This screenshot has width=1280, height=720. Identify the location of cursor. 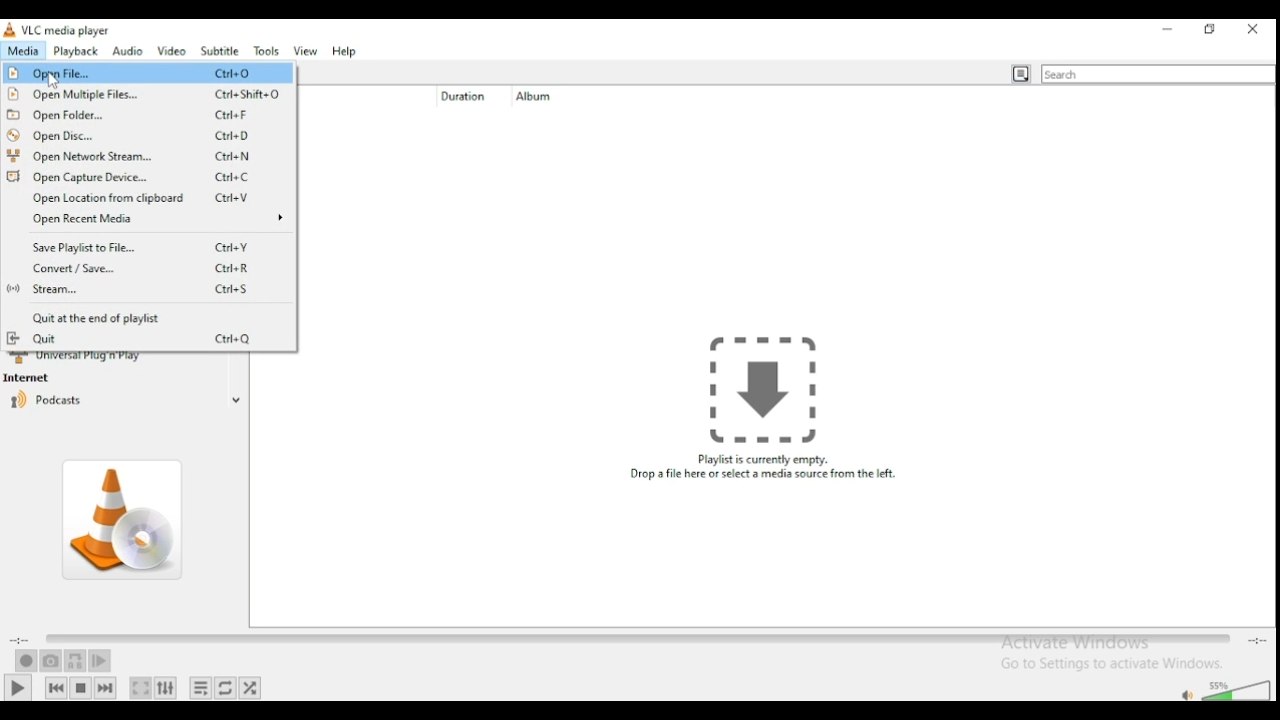
(55, 78).